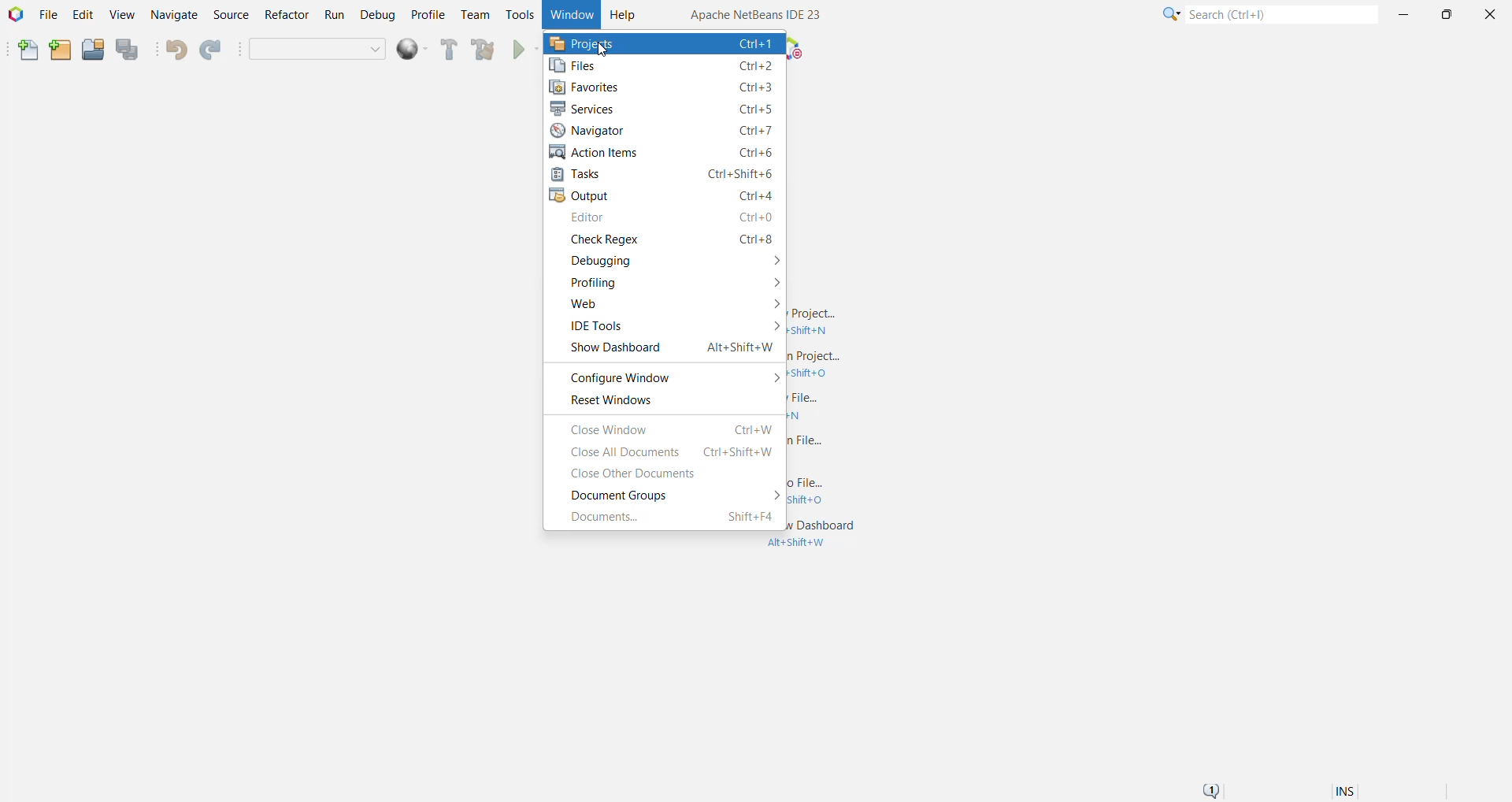 The width and height of the screenshot is (1512, 802). Describe the element at coordinates (602, 48) in the screenshot. I see `cursor` at that location.